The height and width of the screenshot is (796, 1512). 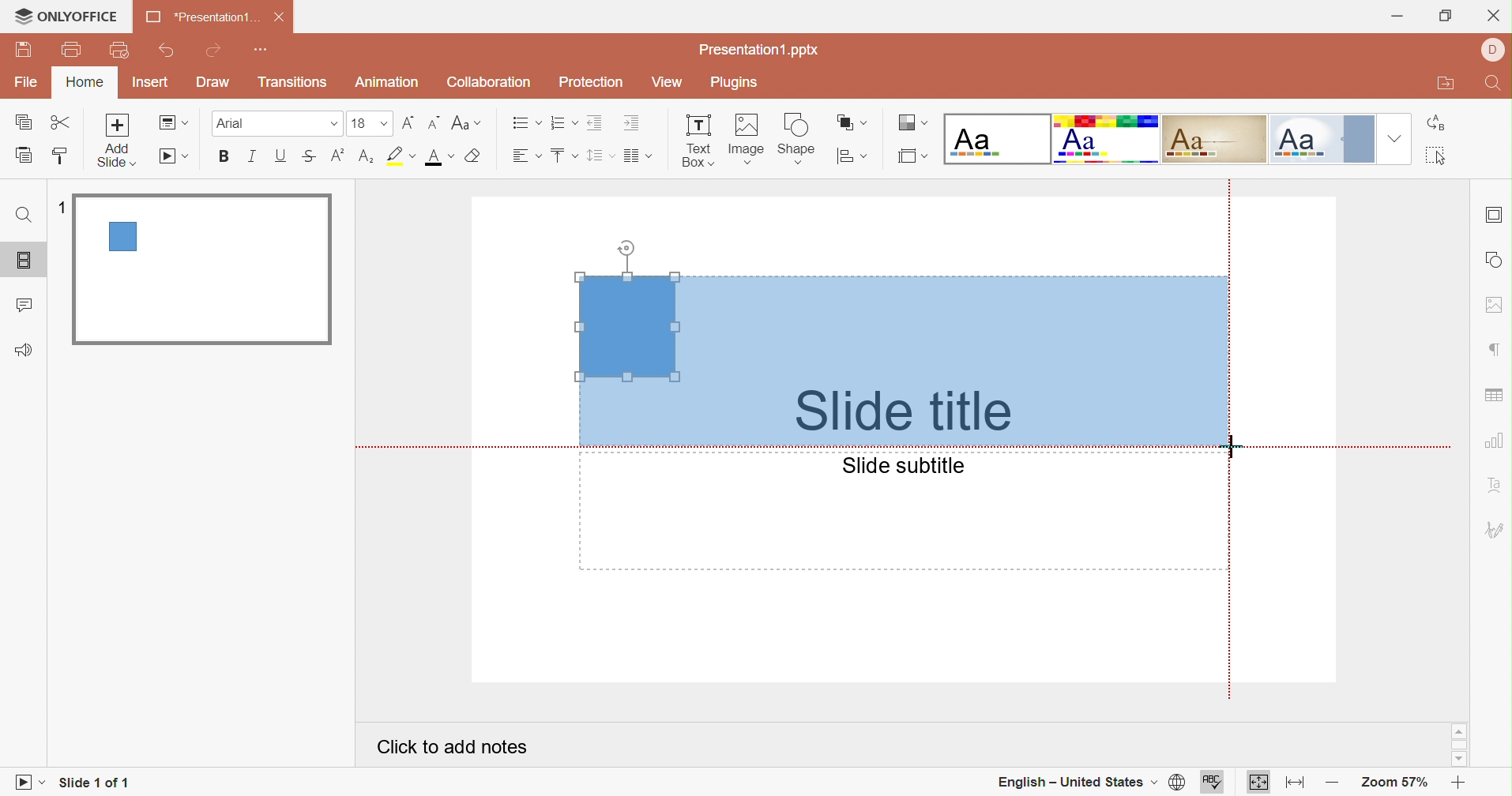 I want to click on View, so click(x=668, y=83).